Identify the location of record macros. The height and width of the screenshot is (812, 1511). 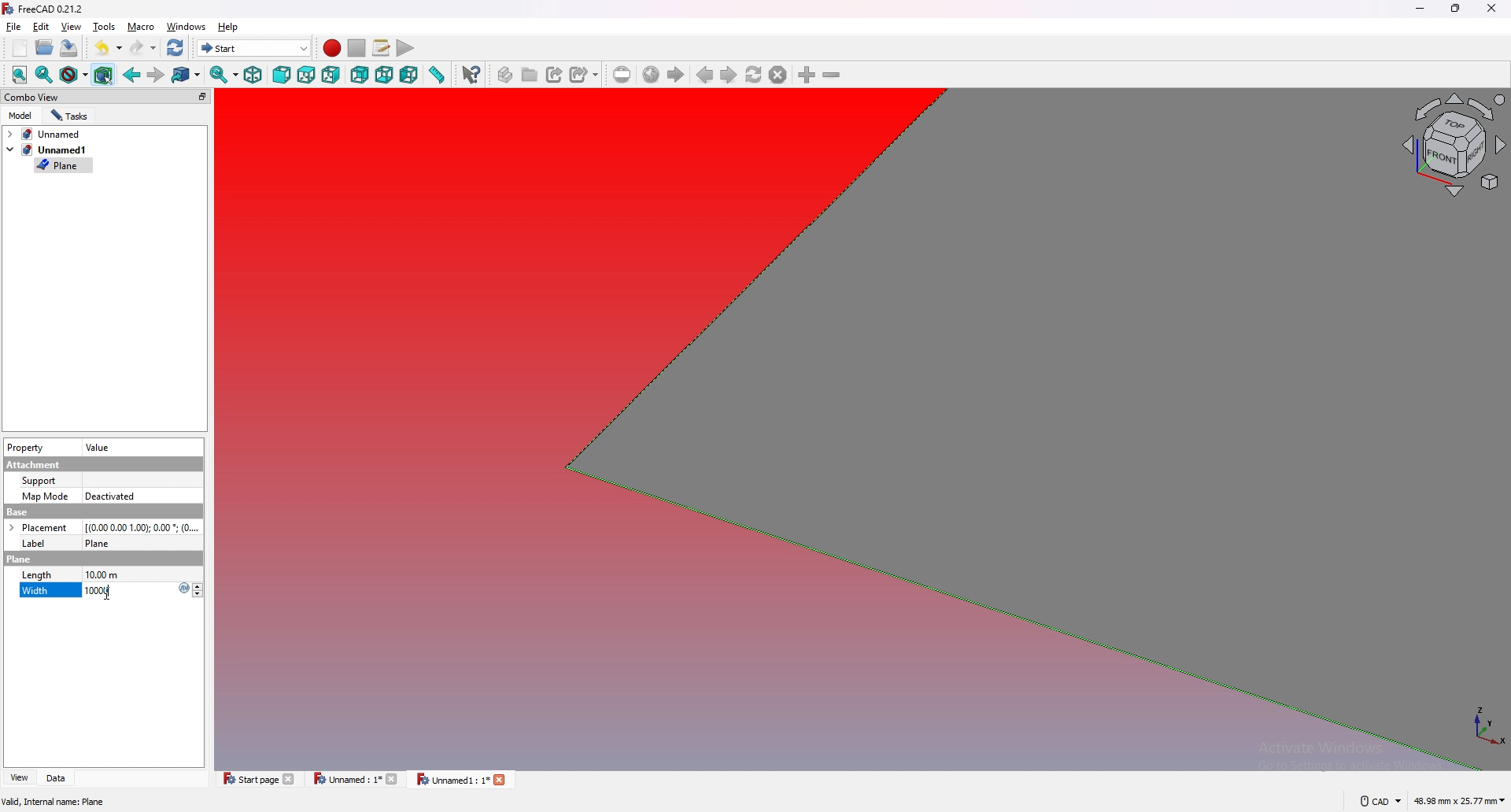
(332, 49).